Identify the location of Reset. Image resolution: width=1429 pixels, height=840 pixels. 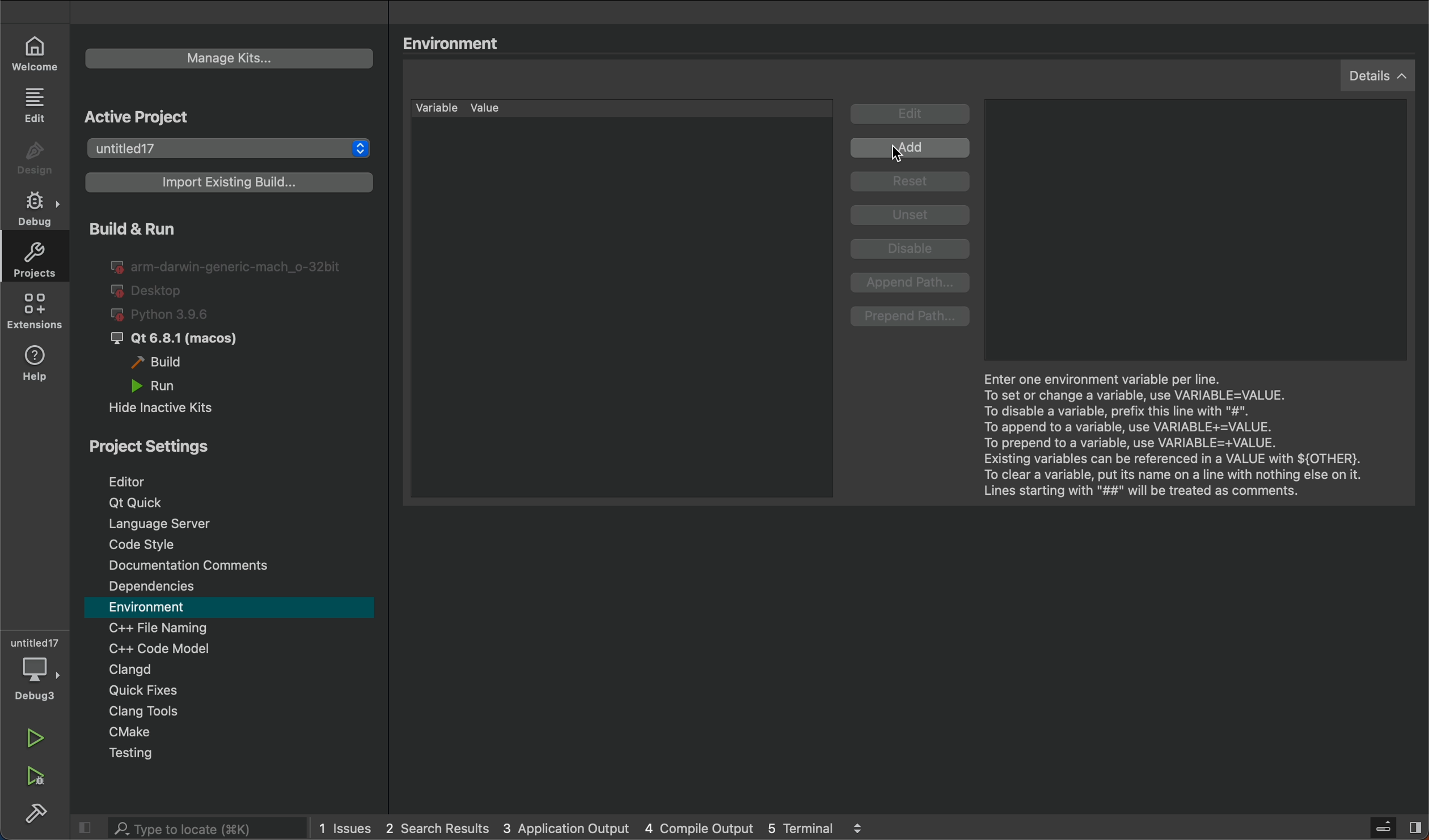
(914, 183).